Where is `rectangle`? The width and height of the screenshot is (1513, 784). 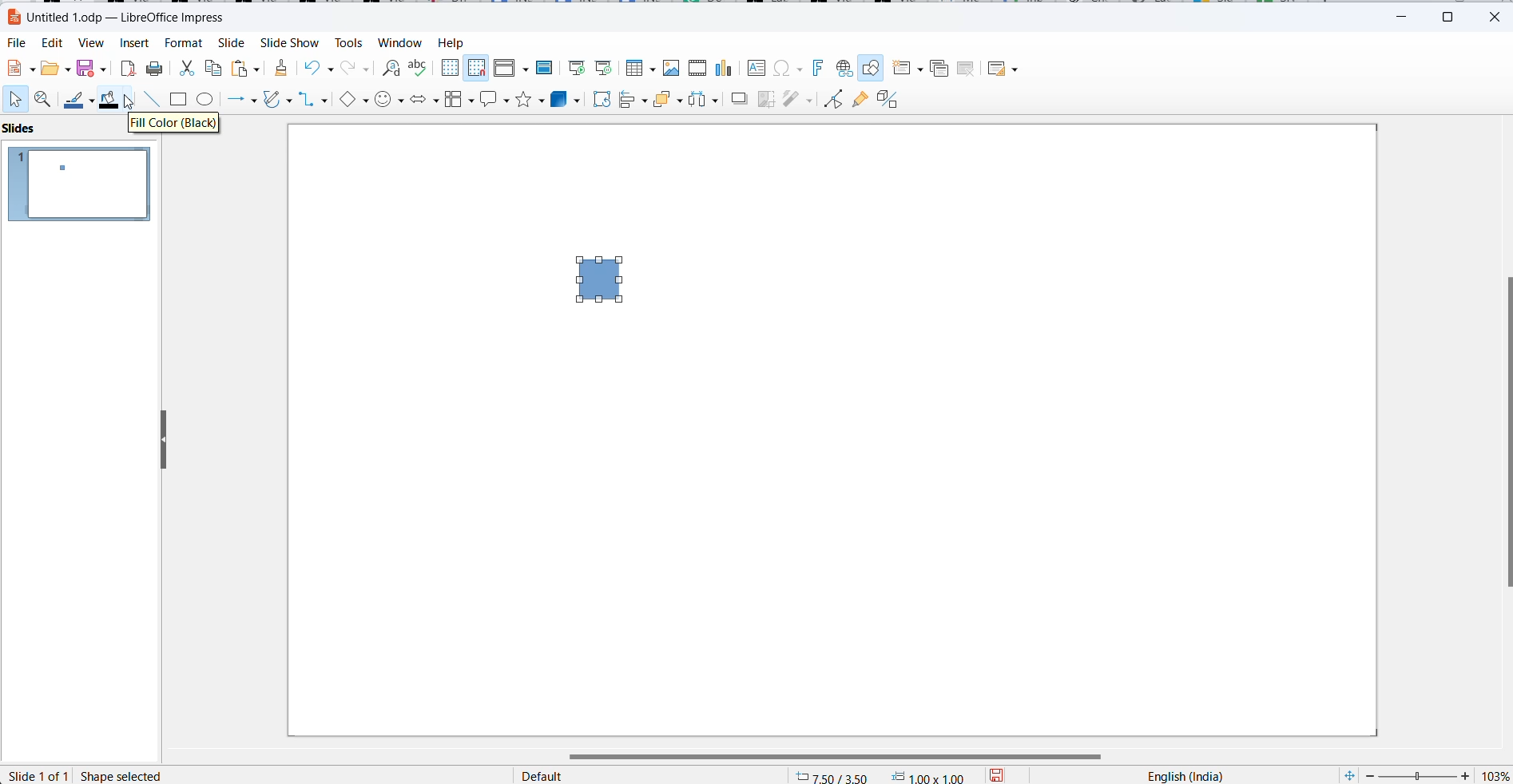 rectangle is located at coordinates (178, 101).